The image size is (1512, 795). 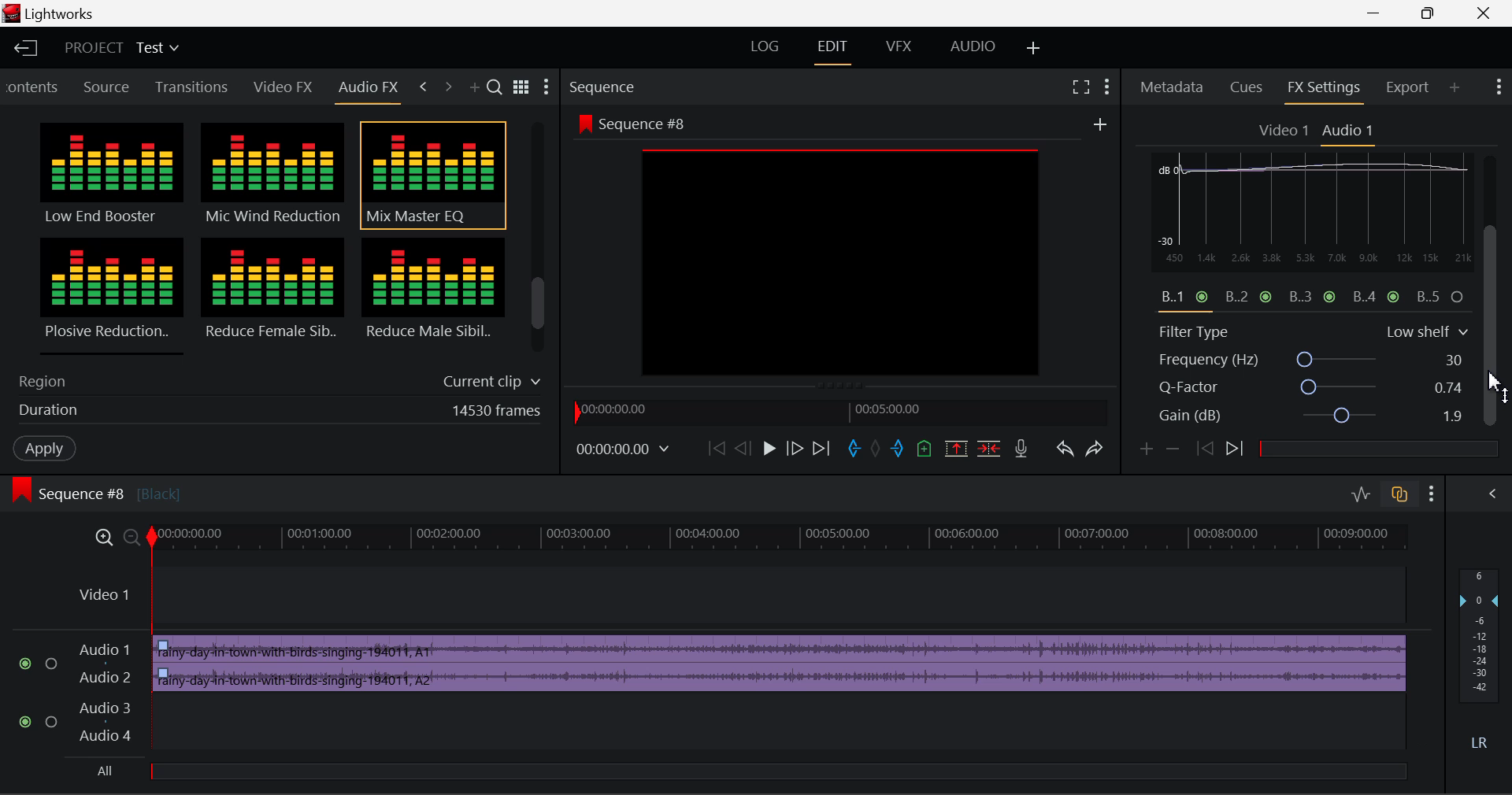 I want to click on Remove Marked Section, so click(x=954, y=448).